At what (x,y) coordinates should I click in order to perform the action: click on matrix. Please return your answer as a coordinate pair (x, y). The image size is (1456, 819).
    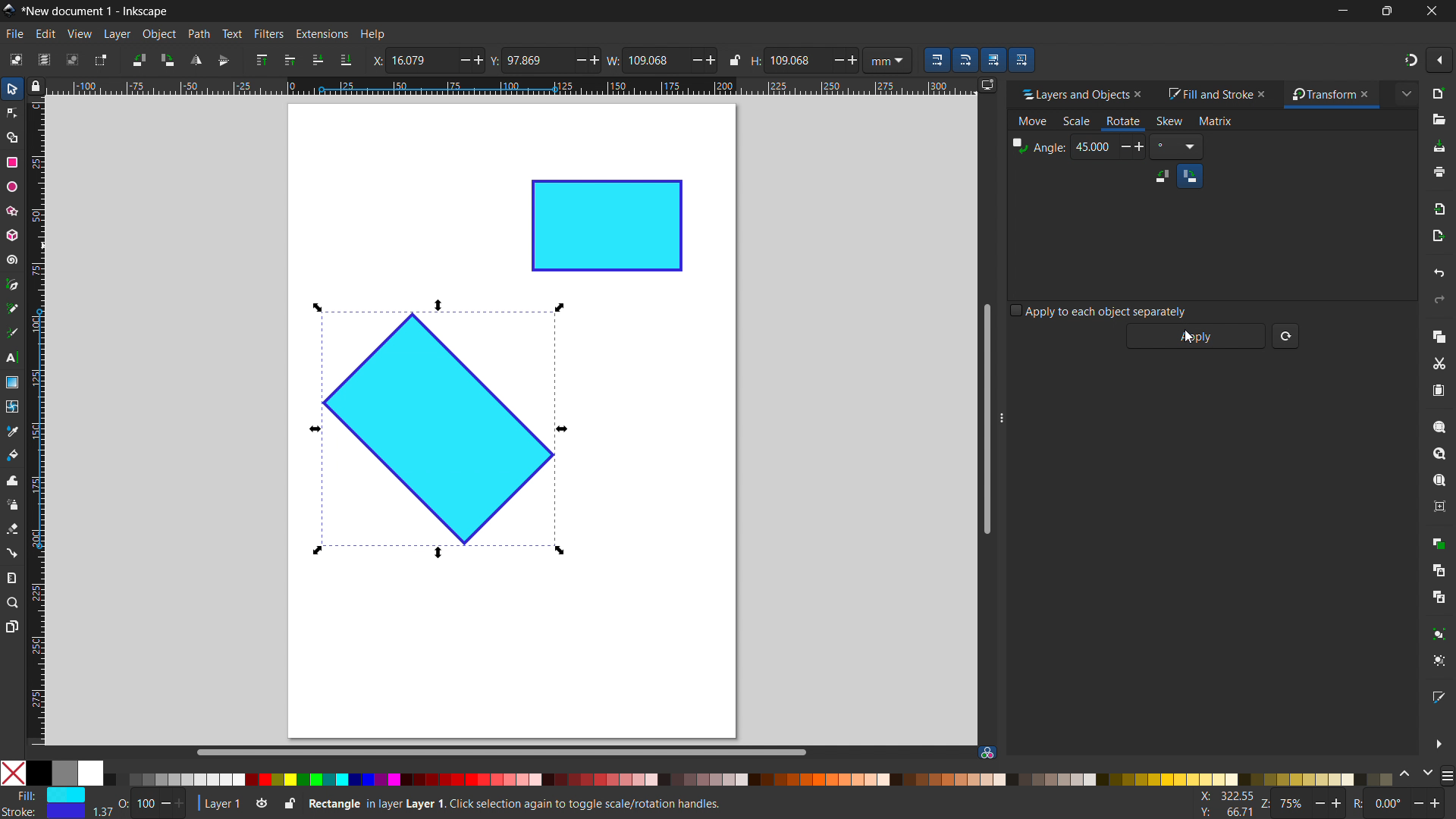
    Looking at the image, I should click on (1216, 121).